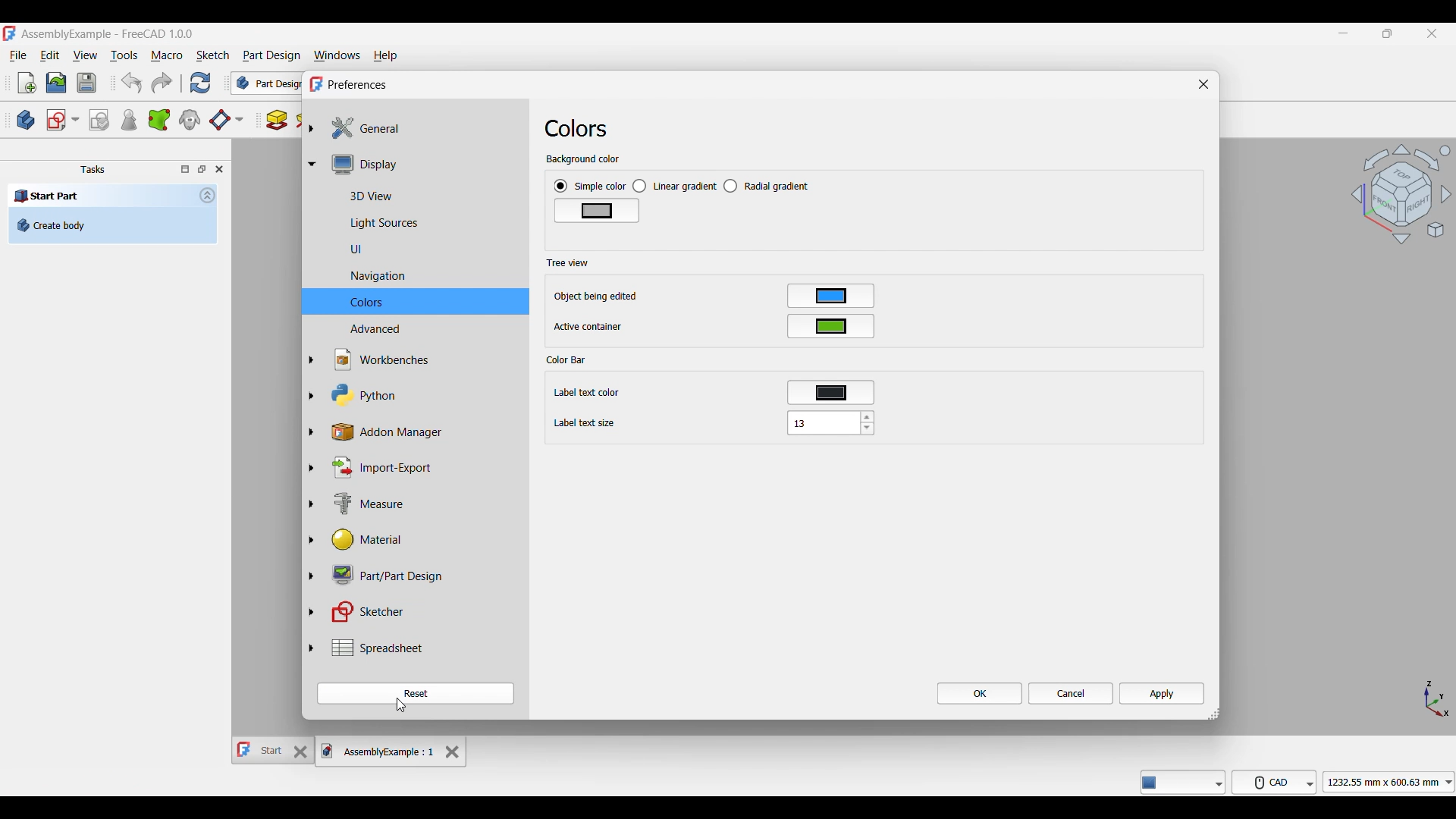  Describe the element at coordinates (1401, 193) in the screenshot. I see `Canvas navigation` at that location.